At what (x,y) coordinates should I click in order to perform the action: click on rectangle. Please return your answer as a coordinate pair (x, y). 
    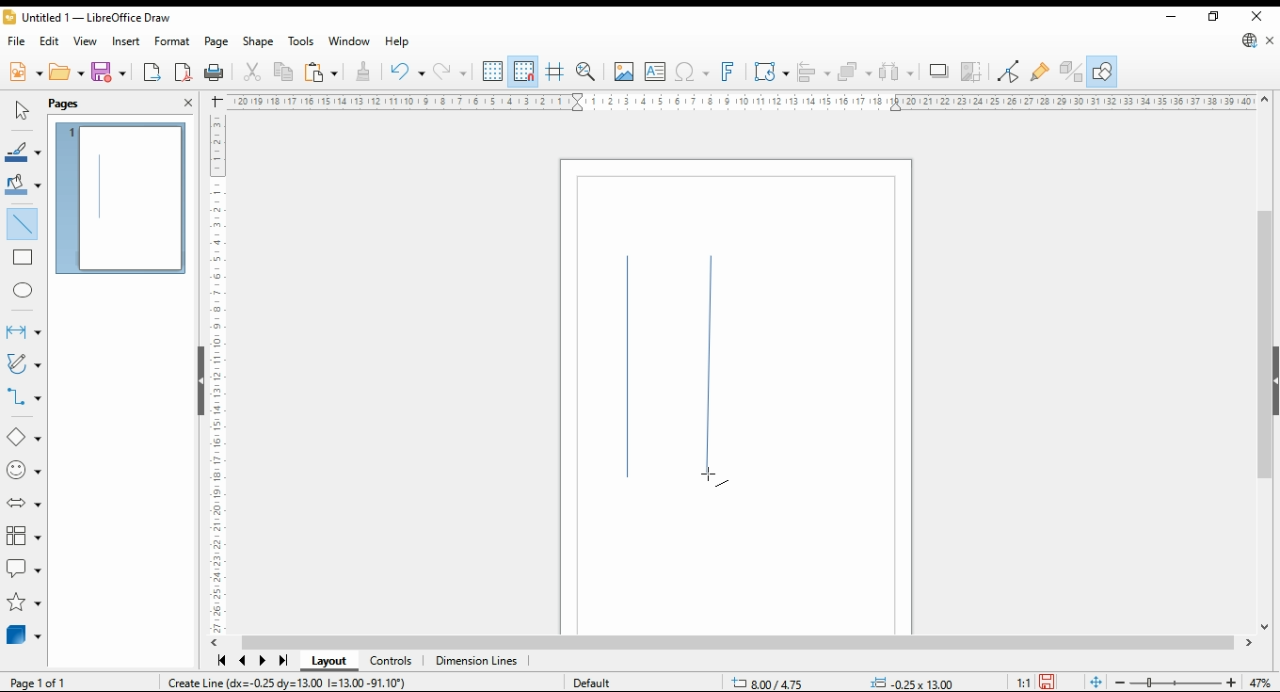
    Looking at the image, I should click on (23, 259).